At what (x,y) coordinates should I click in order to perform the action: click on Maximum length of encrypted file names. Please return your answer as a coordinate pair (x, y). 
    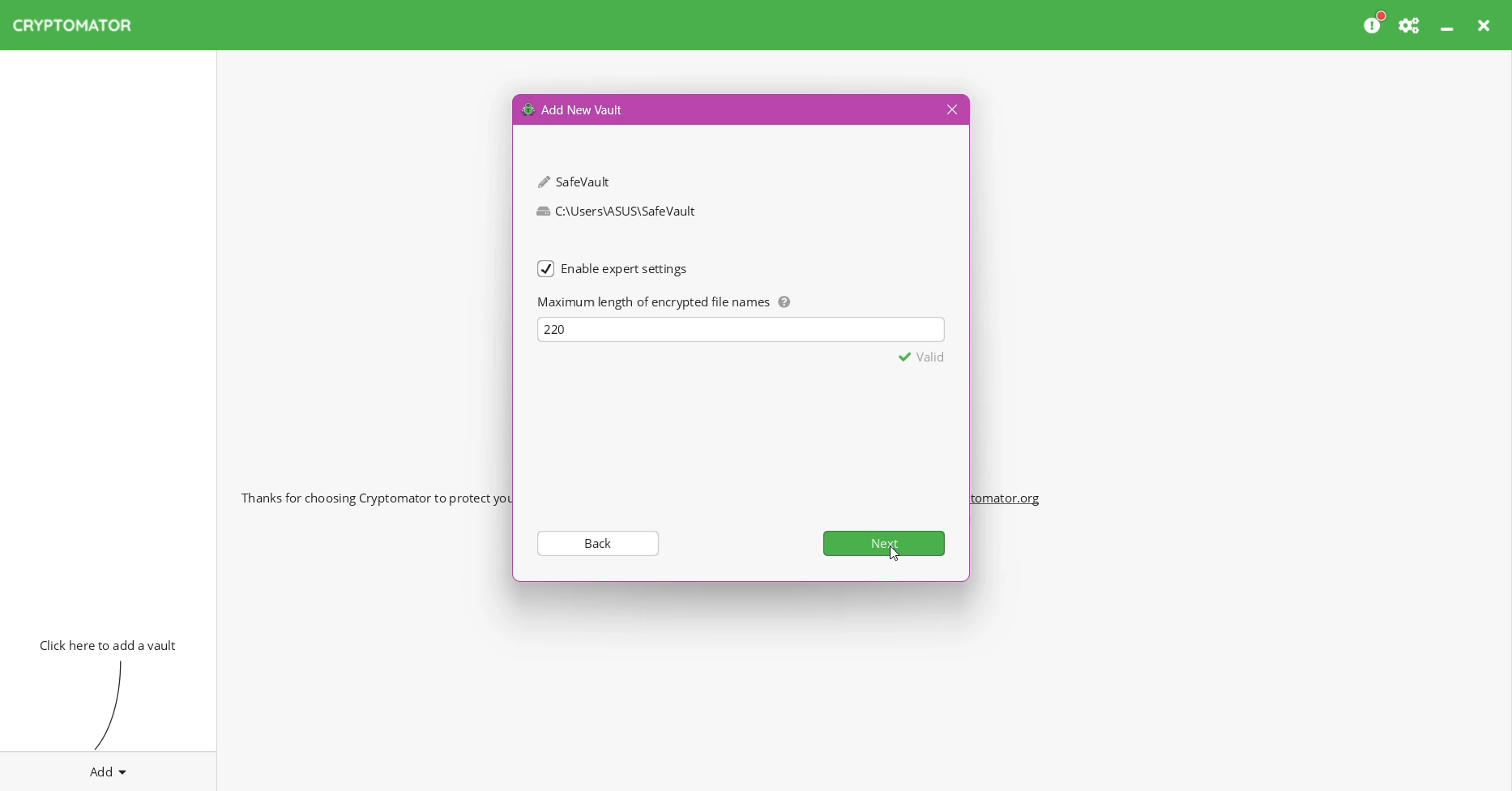
    Looking at the image, I should click on (661, 302).